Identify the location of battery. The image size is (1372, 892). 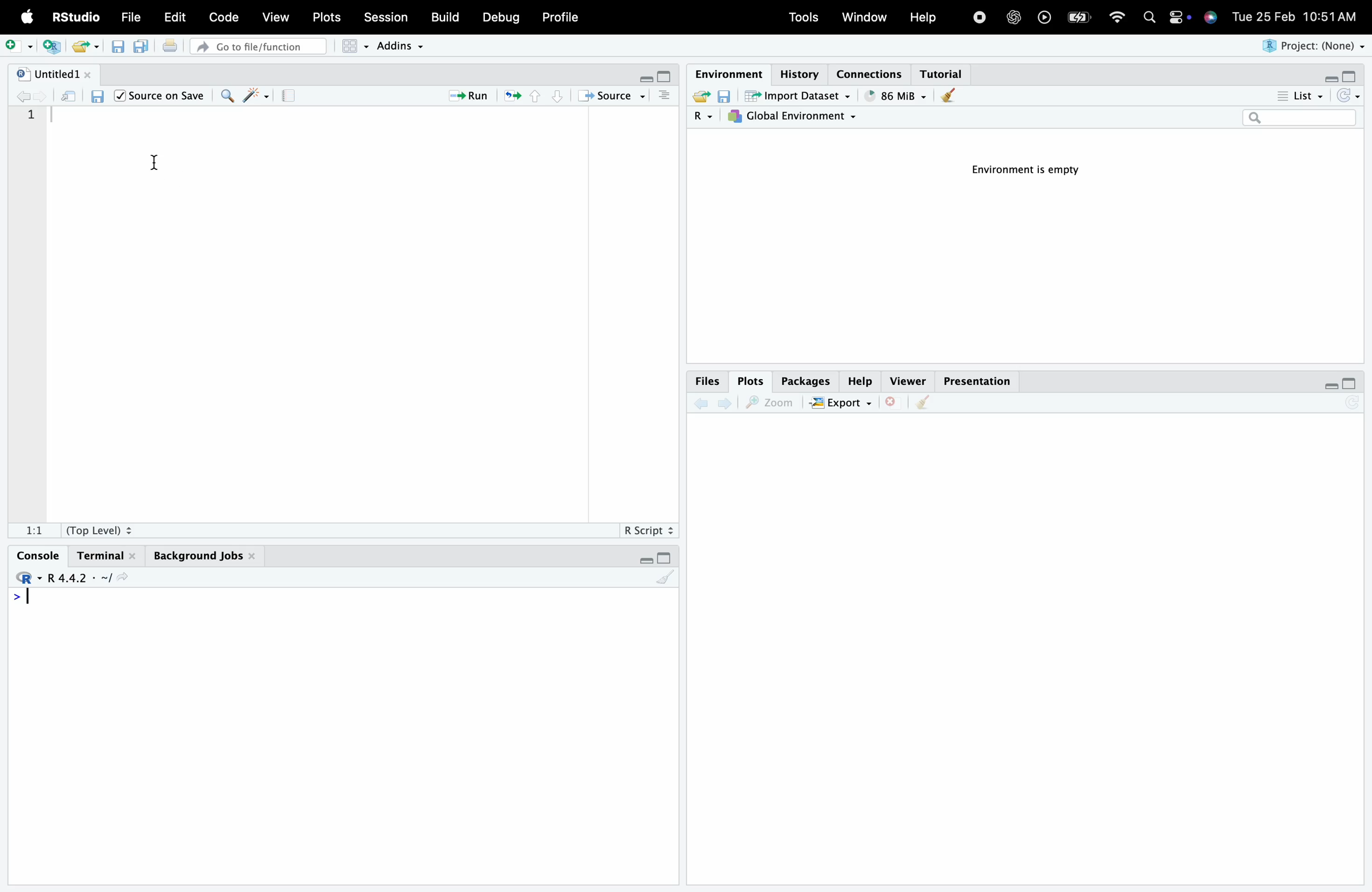
(1083, 16).